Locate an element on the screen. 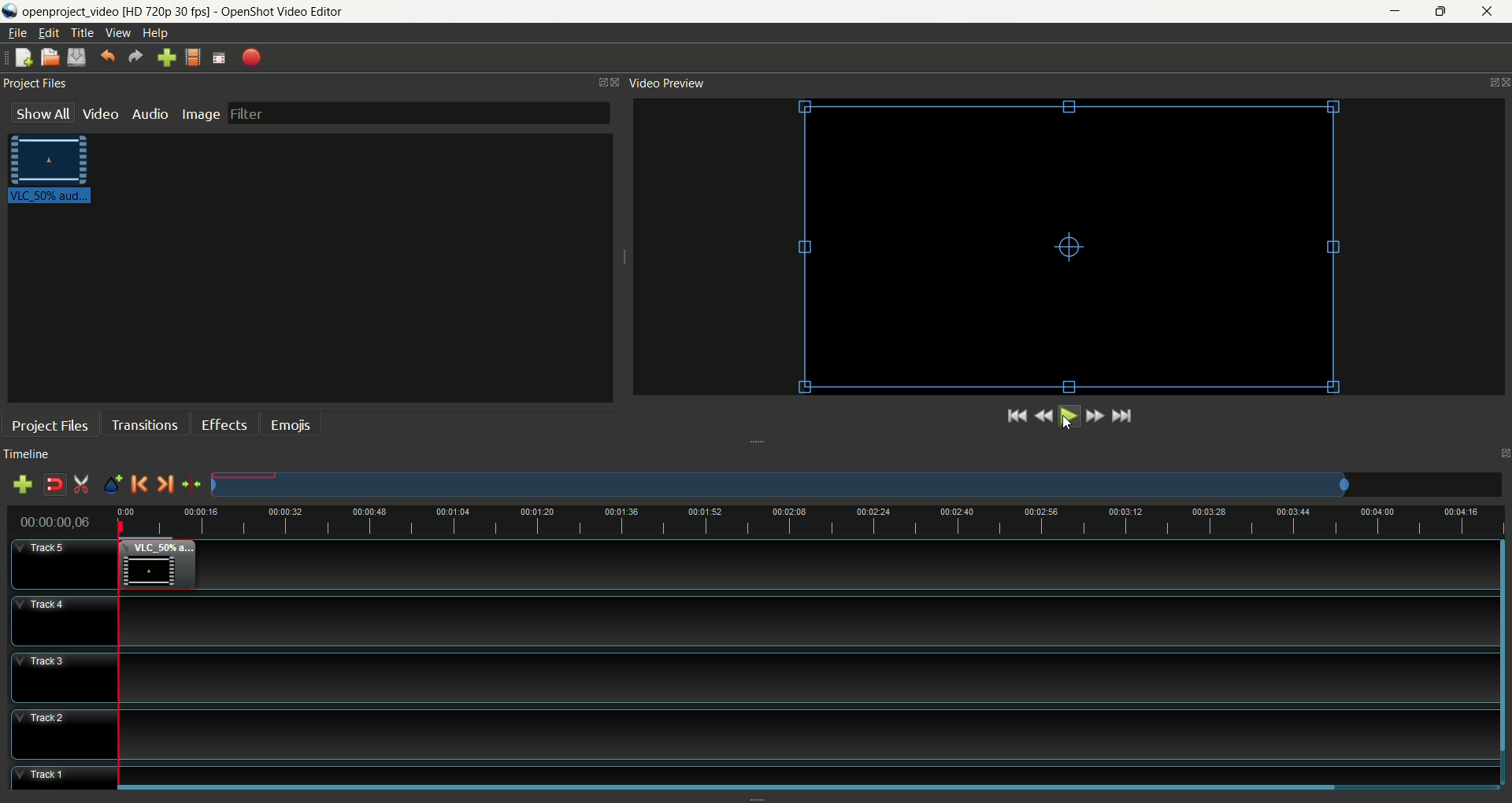 The height and width of the screenshot is (803, 1512). add marker is located at coordinates (114, 485).